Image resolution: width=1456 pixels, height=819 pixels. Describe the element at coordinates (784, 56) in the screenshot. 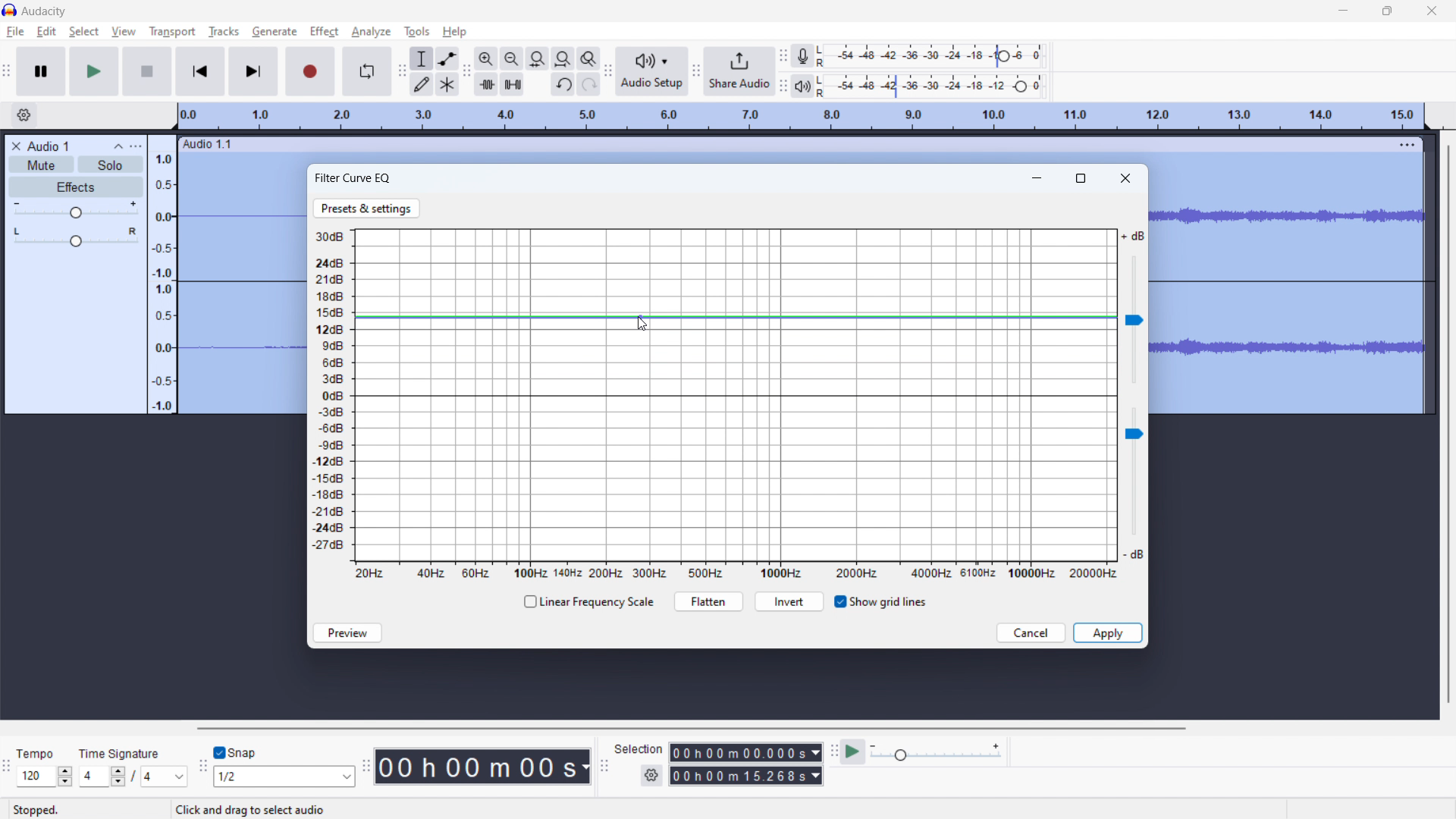

I see `recording meter toolbar` at that location.